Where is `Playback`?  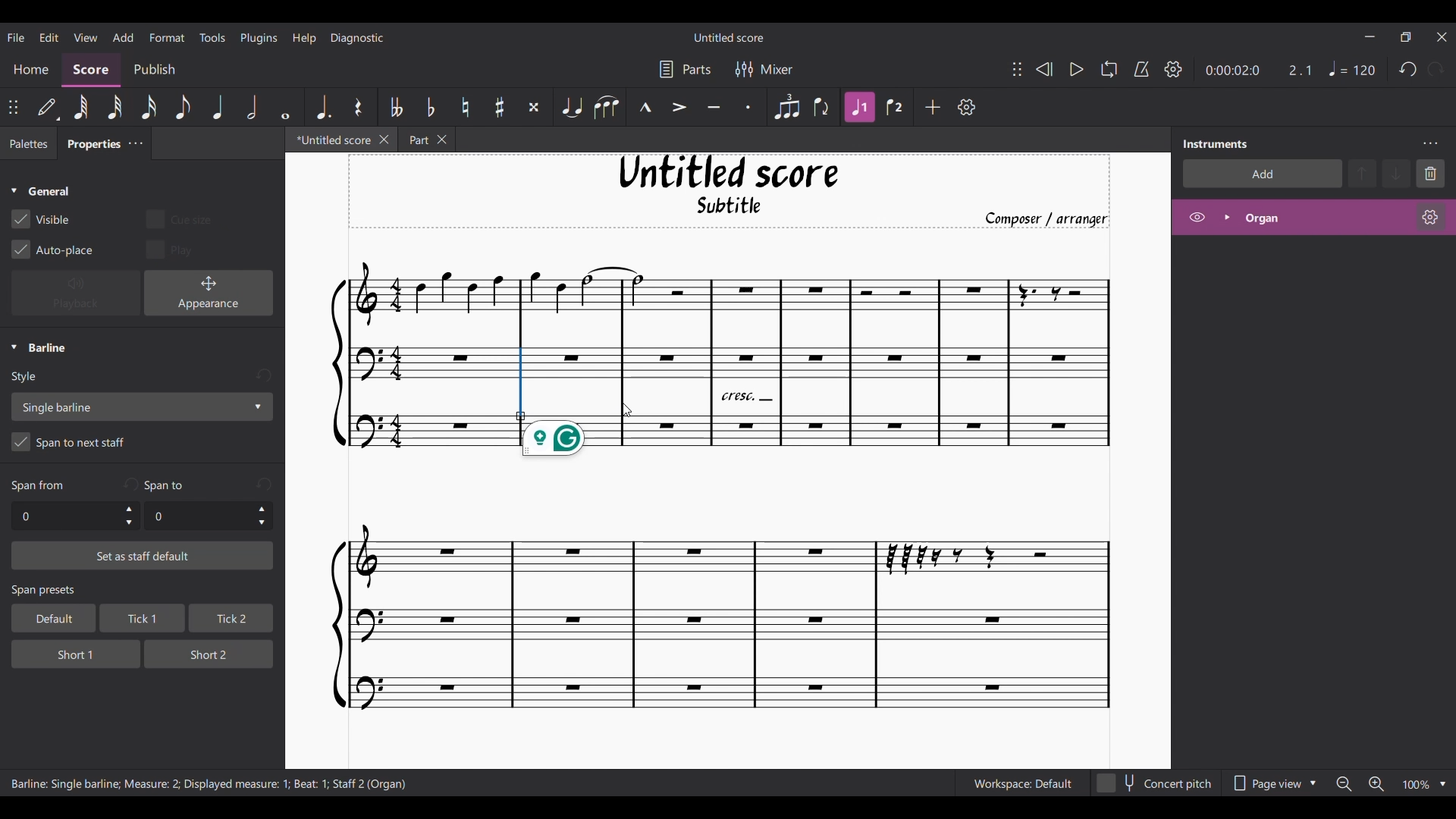 Playback is located at coordinates (76, 293).